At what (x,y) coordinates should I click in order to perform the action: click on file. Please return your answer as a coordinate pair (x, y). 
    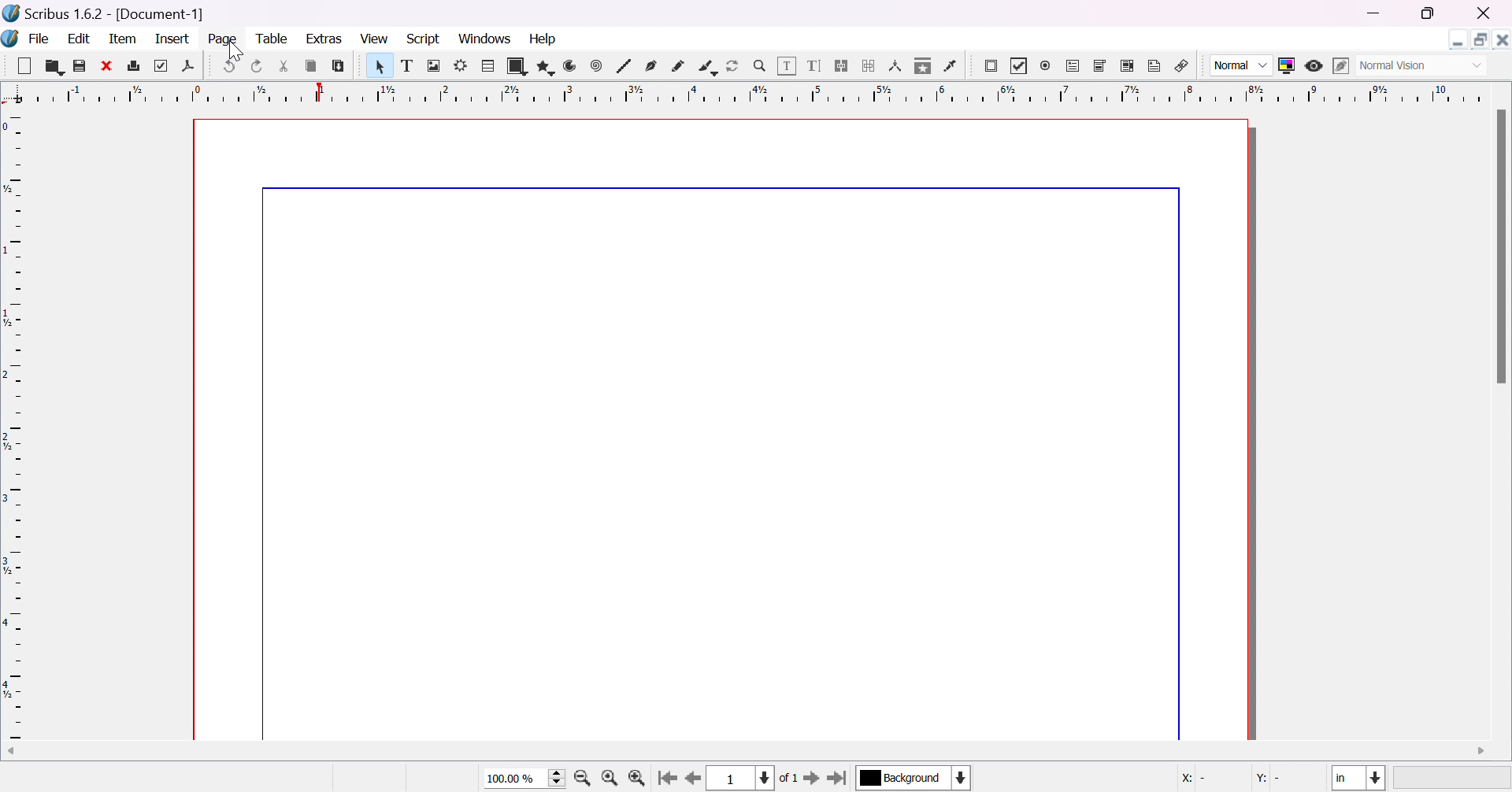
    Looking at the image, I should click on (41, 39).